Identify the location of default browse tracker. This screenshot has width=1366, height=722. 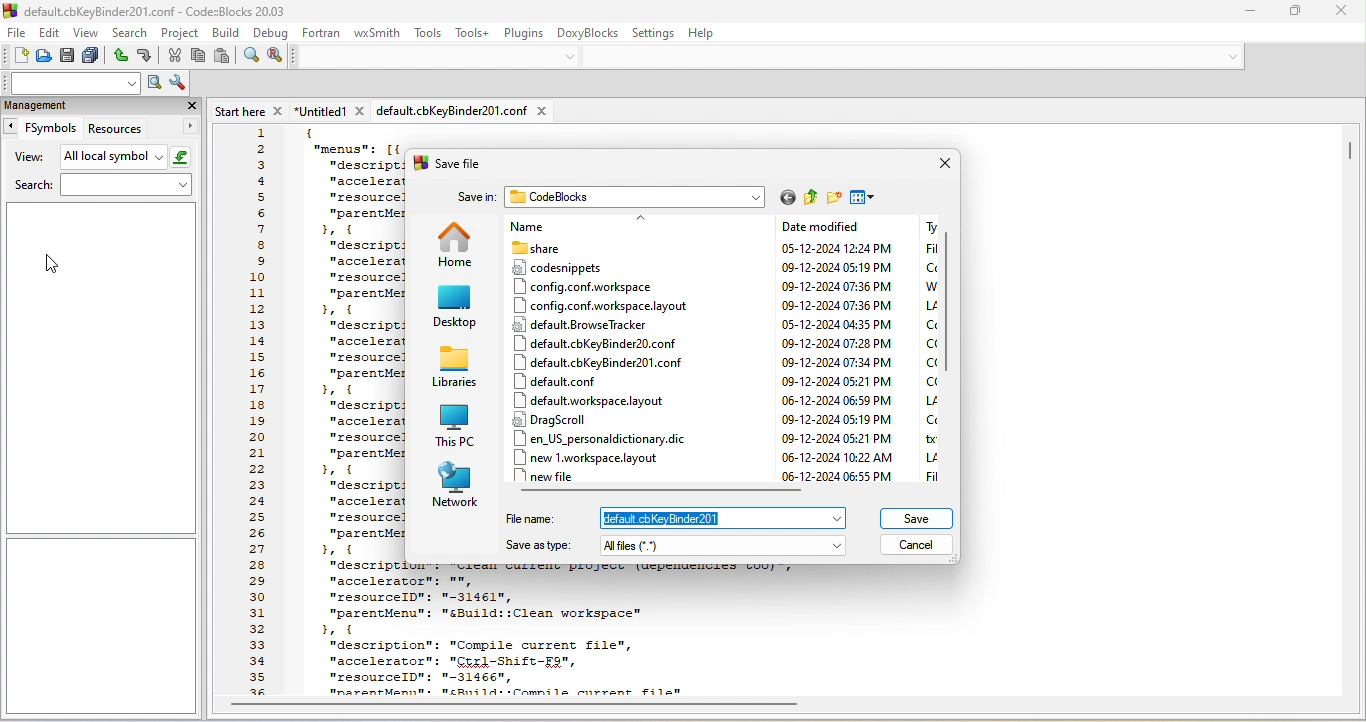
(587, 324).